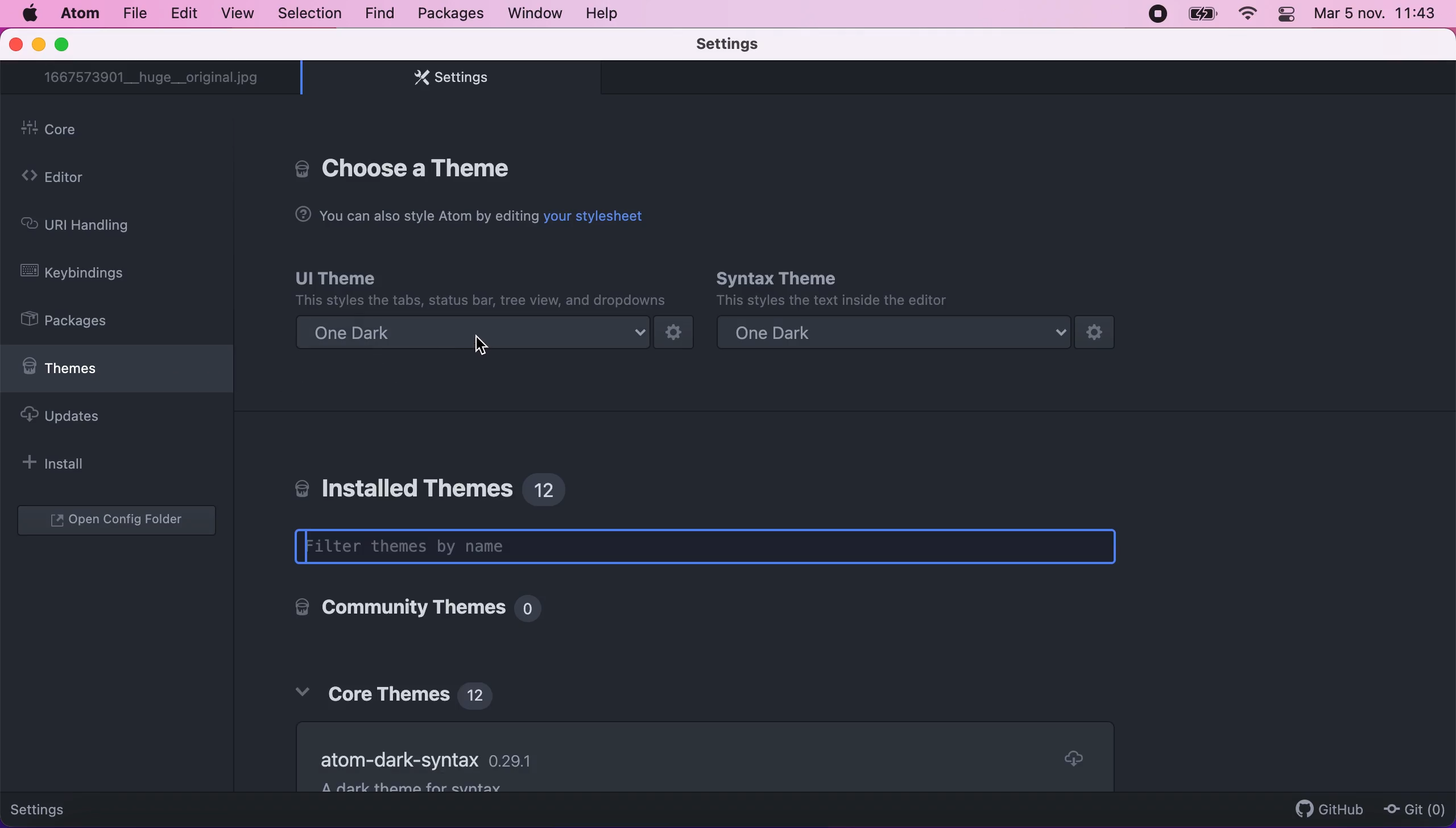 The width and height of the screenshot is (1456, 828). I want to click on Ul Theme | This styles the tabs, status bar, tree view, and dropdowns, so click(481, 287).